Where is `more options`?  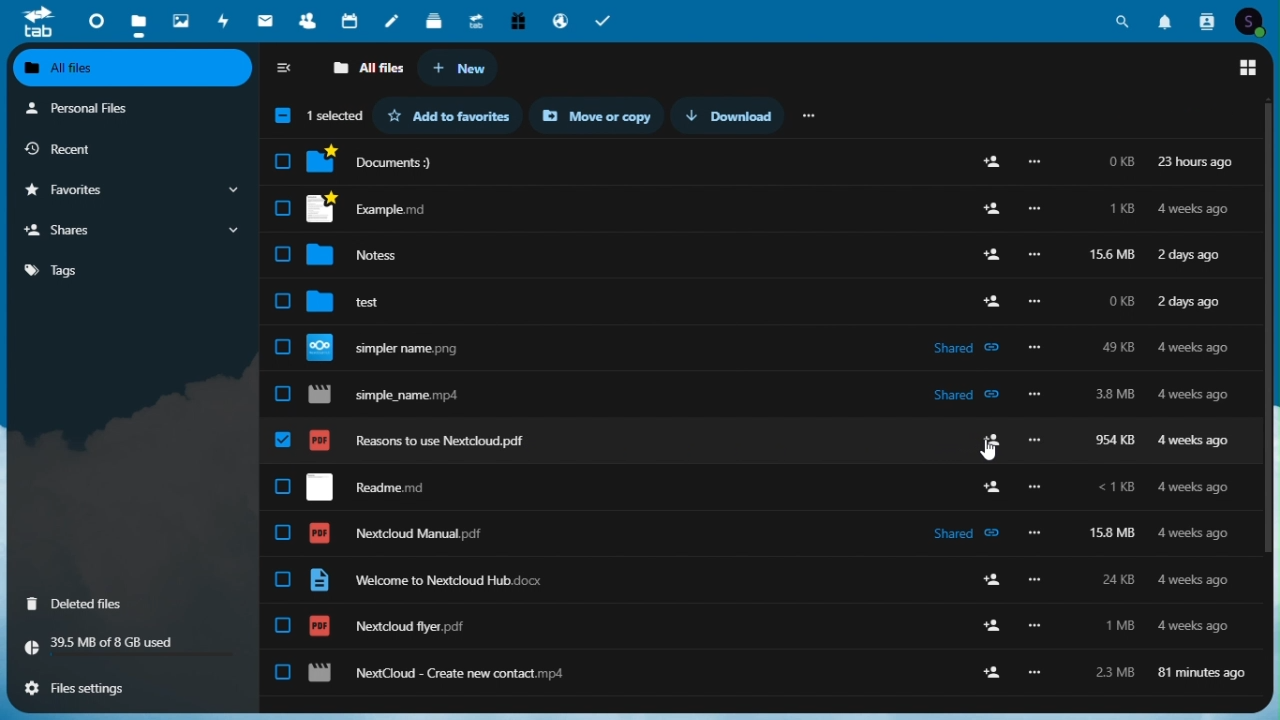
more options is located at coordinates (1036, 162).